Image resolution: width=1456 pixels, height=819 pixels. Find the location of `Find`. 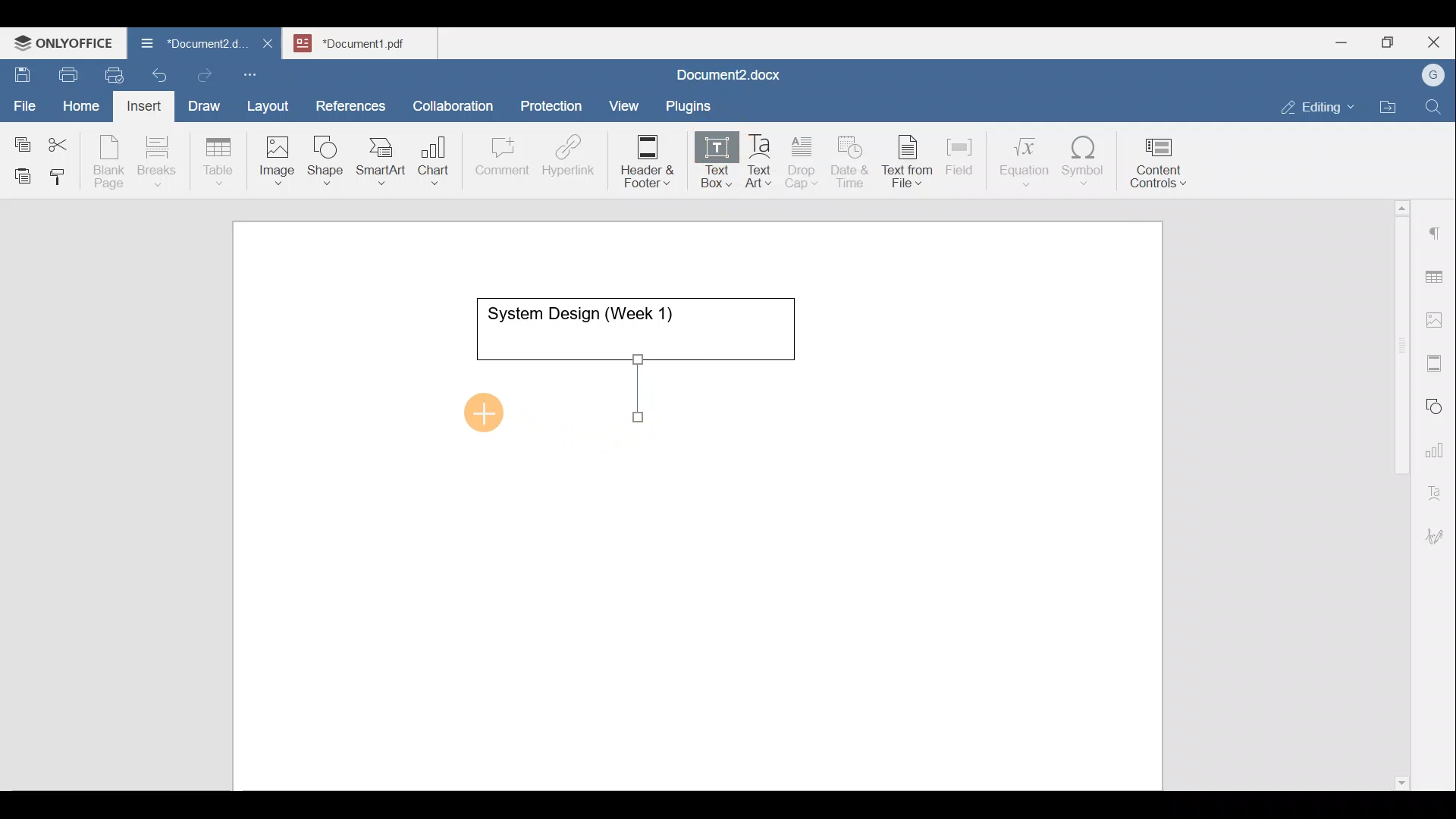

Find is located at coordinates (1435, 108).